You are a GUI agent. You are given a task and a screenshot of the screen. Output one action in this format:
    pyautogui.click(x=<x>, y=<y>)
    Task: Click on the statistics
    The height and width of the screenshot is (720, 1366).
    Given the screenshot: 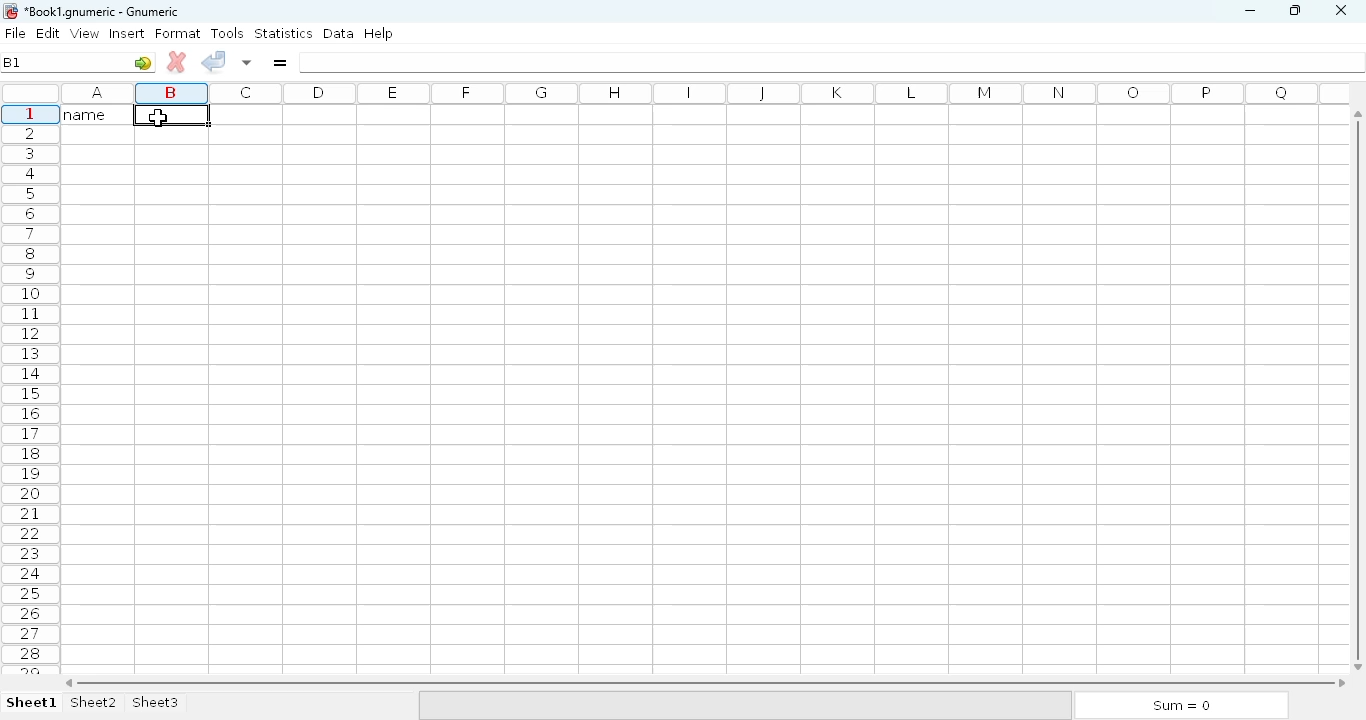 What is the action you would take?
    pyautogui.click(x=283, y=32)
    